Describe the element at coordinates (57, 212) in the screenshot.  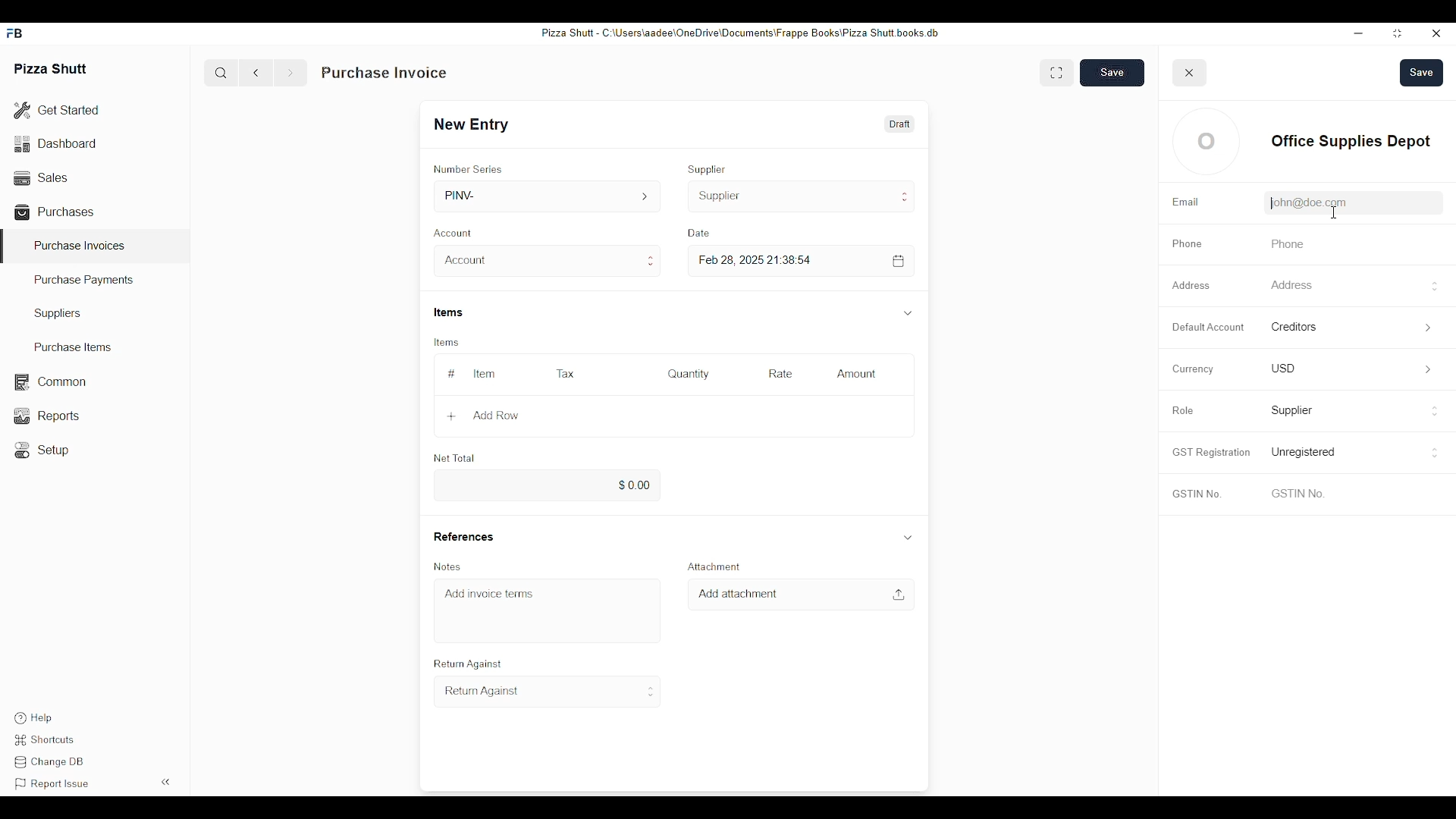
I see `Purchases` at that location.